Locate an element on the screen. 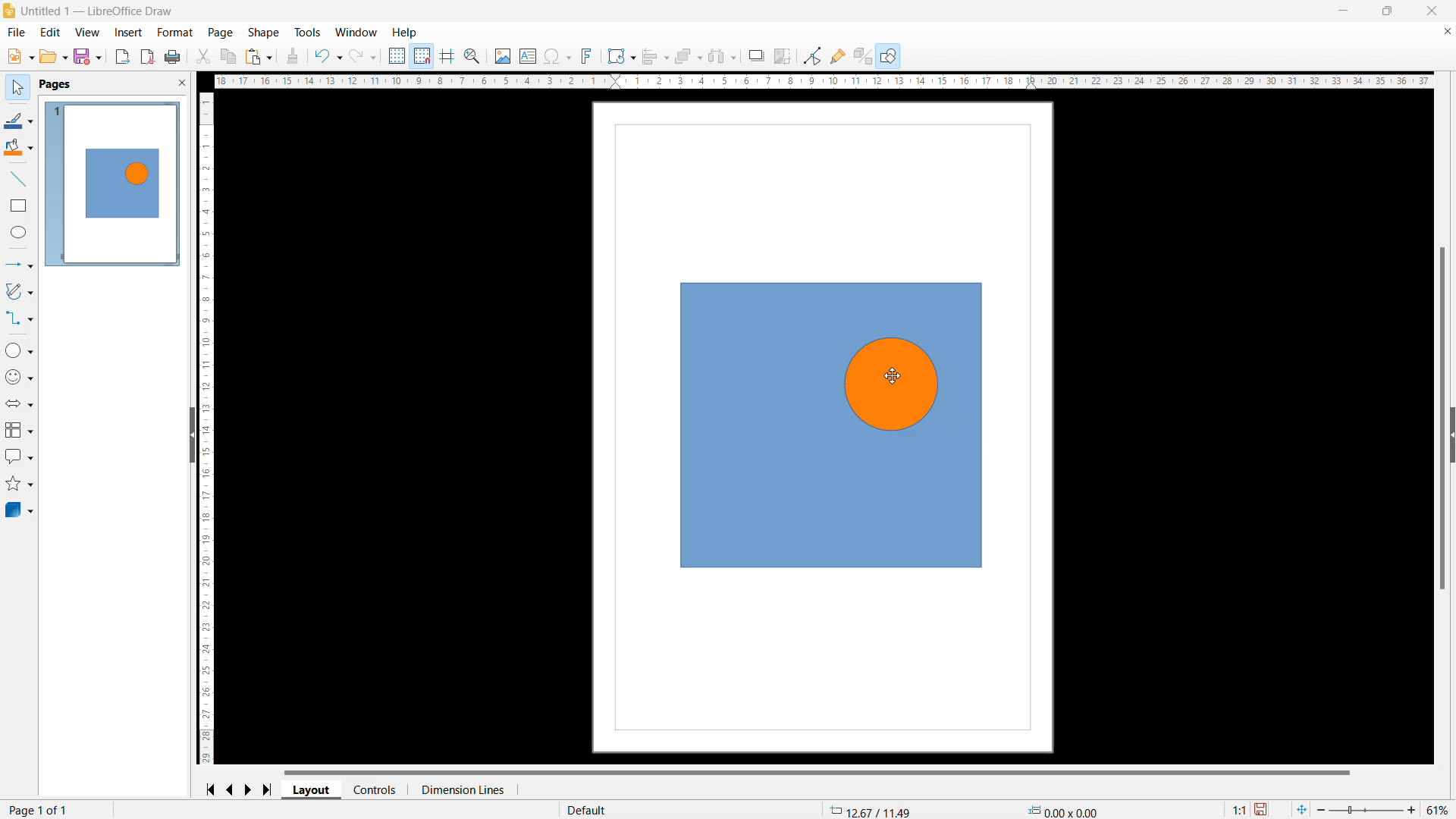 The image size is (1456, 819). line tool is located at coordinates (18, 179).